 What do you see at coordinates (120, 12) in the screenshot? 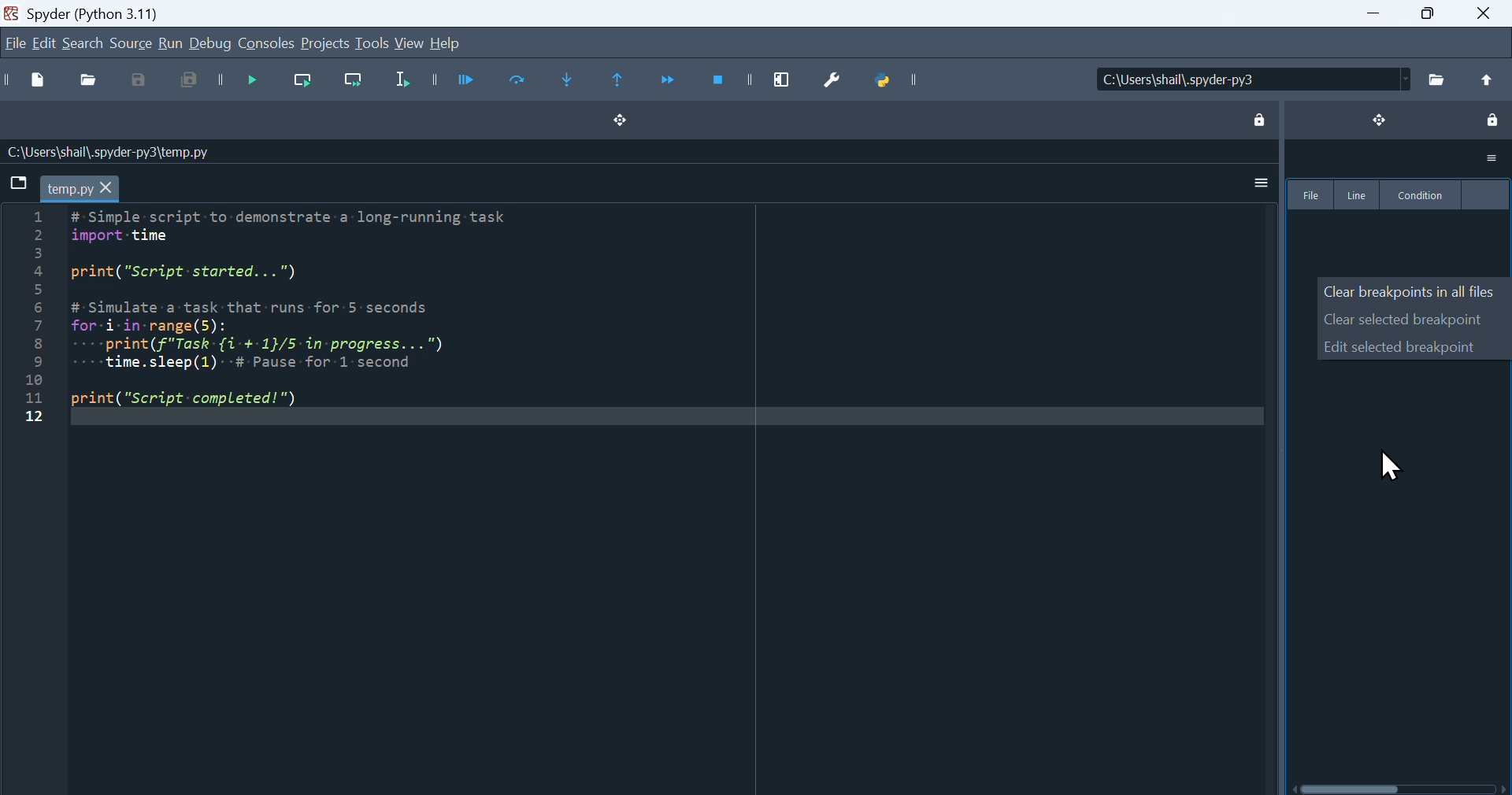
I see `Spyder (Python 3.11)` at bounding box center [120, 12].